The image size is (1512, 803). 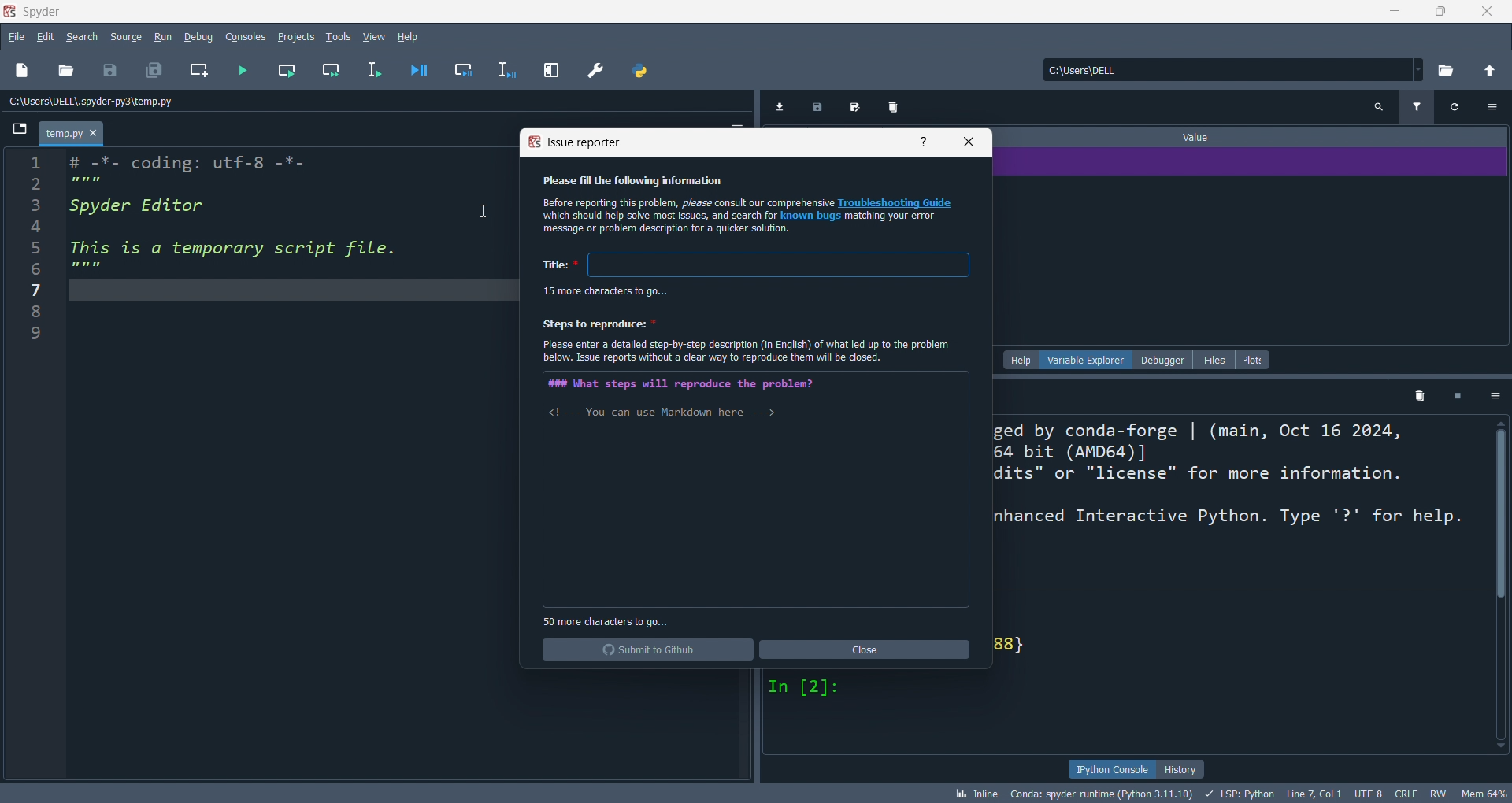 I want to click on Number line, so click(x=35, y=250).